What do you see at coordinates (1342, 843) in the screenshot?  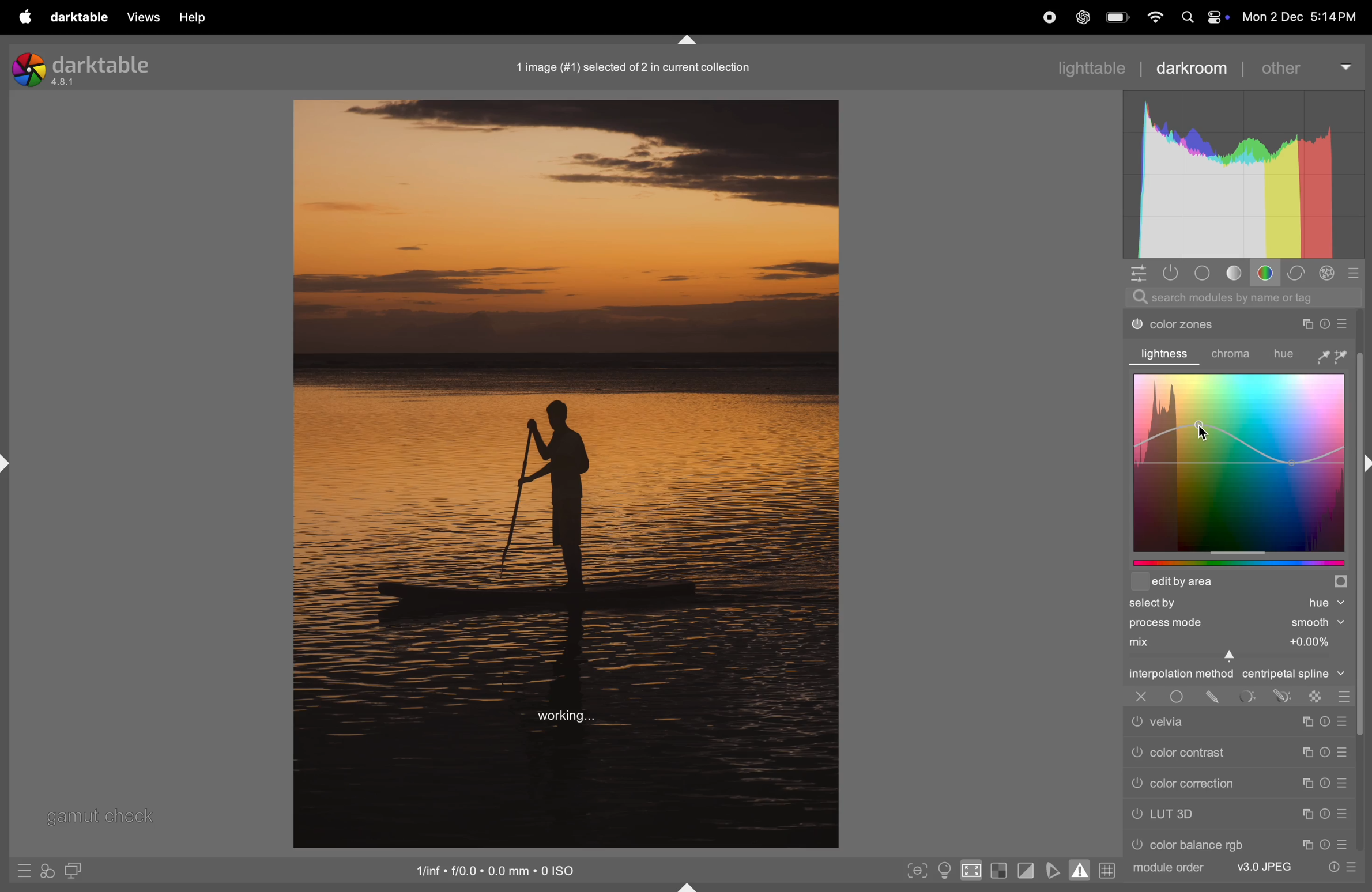 I see `preset` at bounding box center [1342, 843].